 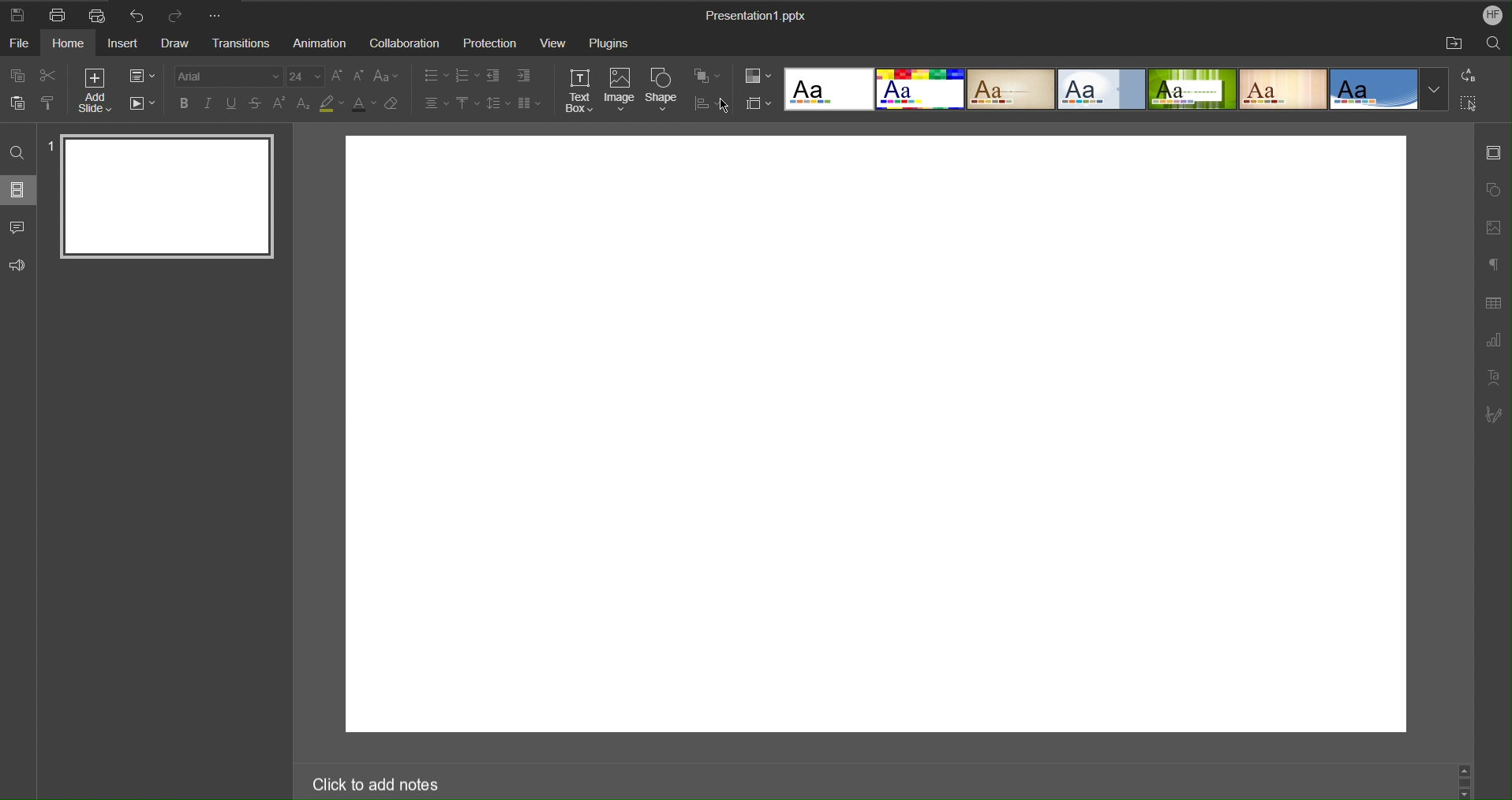 What do you see at coordinates (391, 104) in the screenshot?
I see `Erase Style` at bounding box center [391, 104].